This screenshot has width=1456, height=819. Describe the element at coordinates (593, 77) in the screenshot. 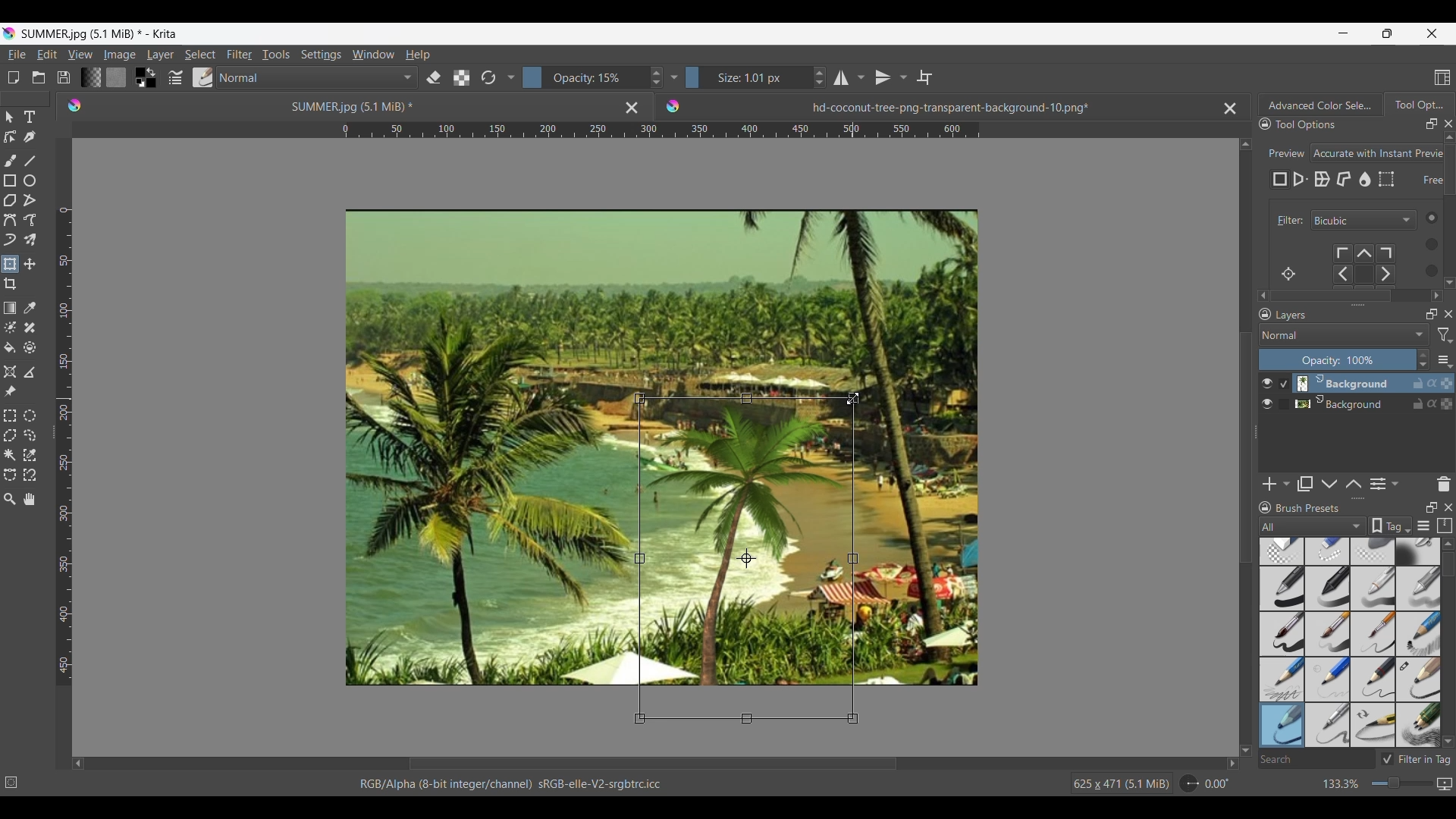

I see `Increase/Decrease opacity` at that location.